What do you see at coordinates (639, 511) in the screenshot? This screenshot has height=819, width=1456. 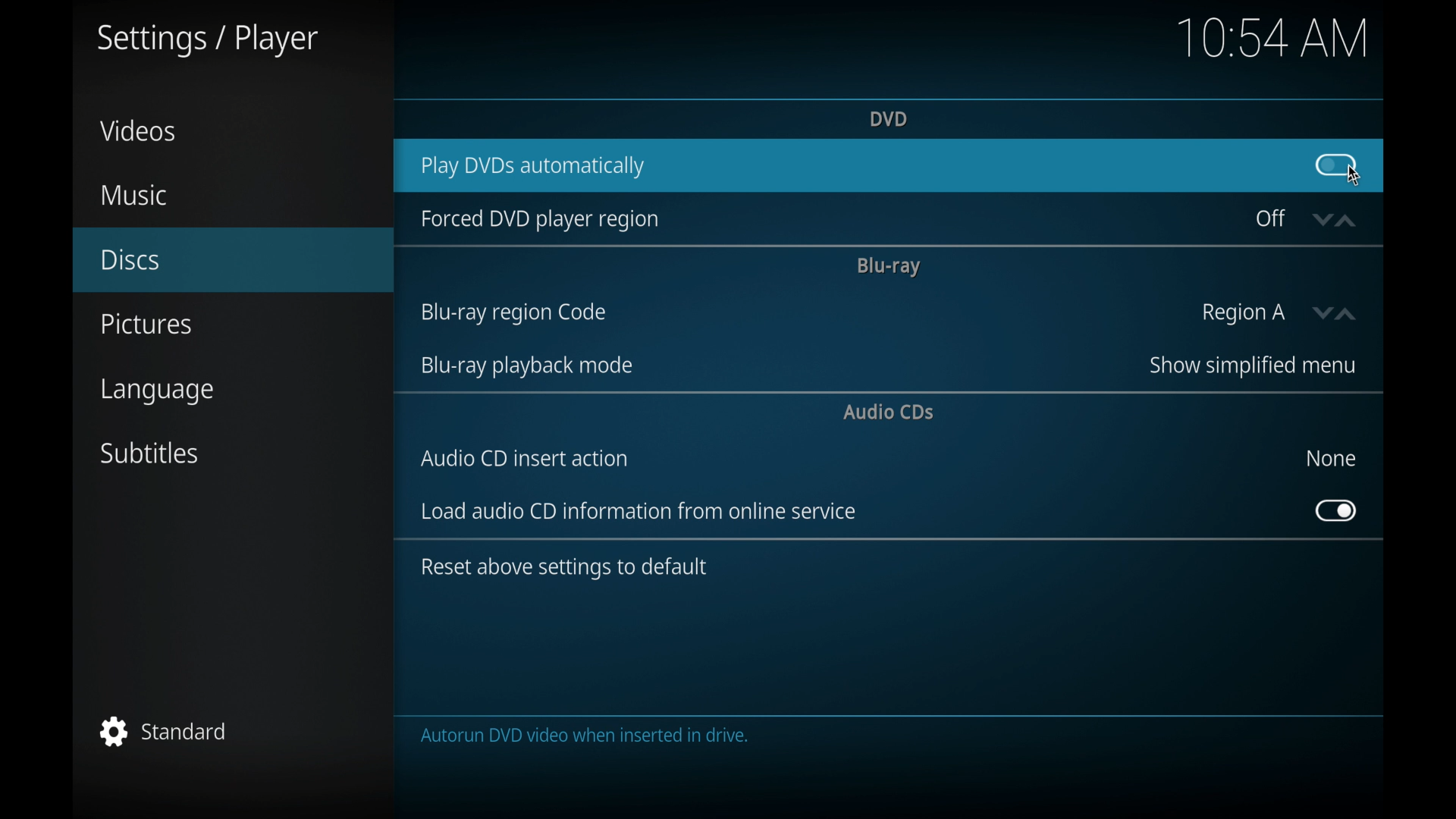 I see `load audio cd info from online services` at bounding box center [639, 511].